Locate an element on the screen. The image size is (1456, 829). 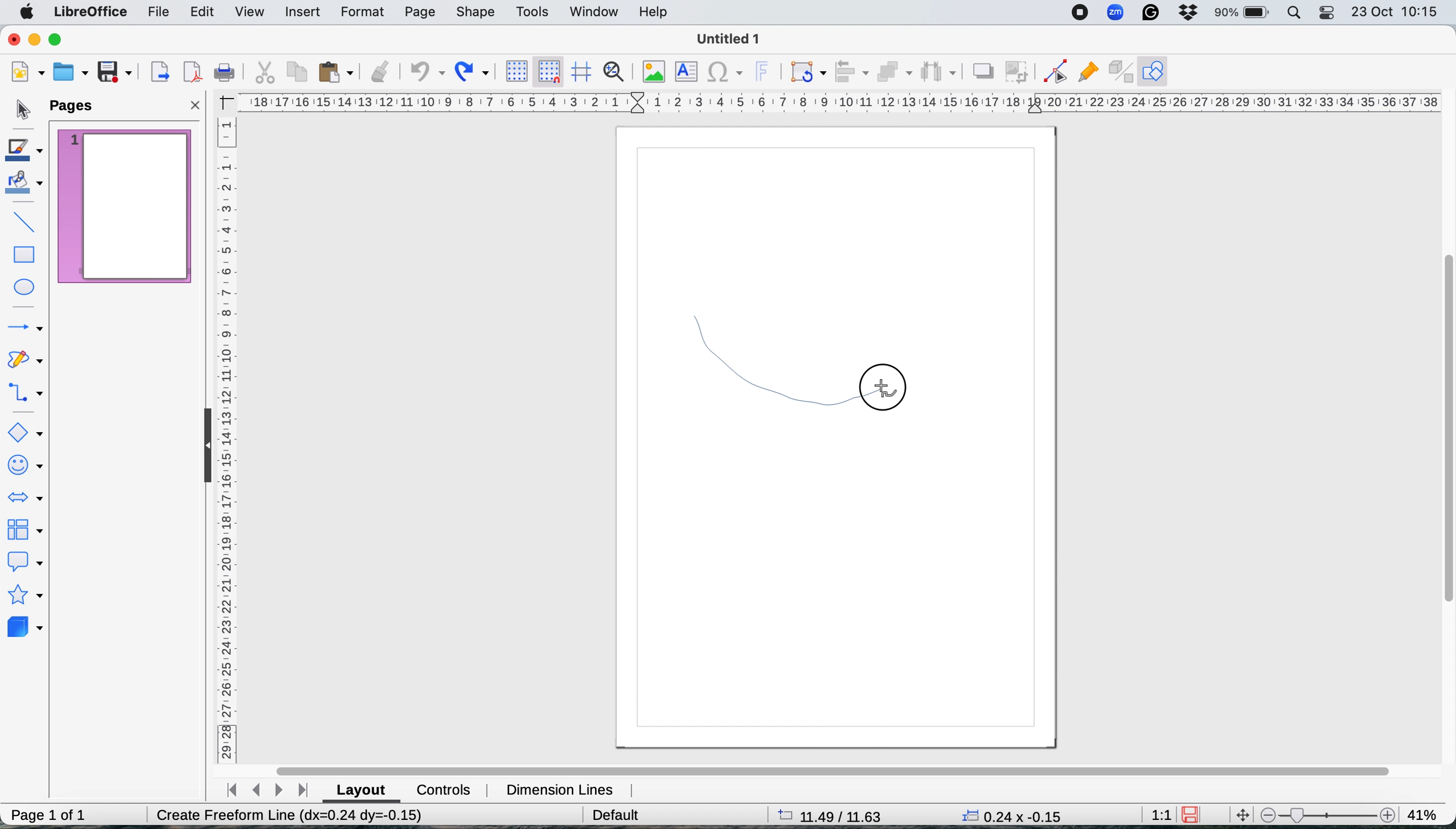
date and time is located at coordinates (1395, 13).